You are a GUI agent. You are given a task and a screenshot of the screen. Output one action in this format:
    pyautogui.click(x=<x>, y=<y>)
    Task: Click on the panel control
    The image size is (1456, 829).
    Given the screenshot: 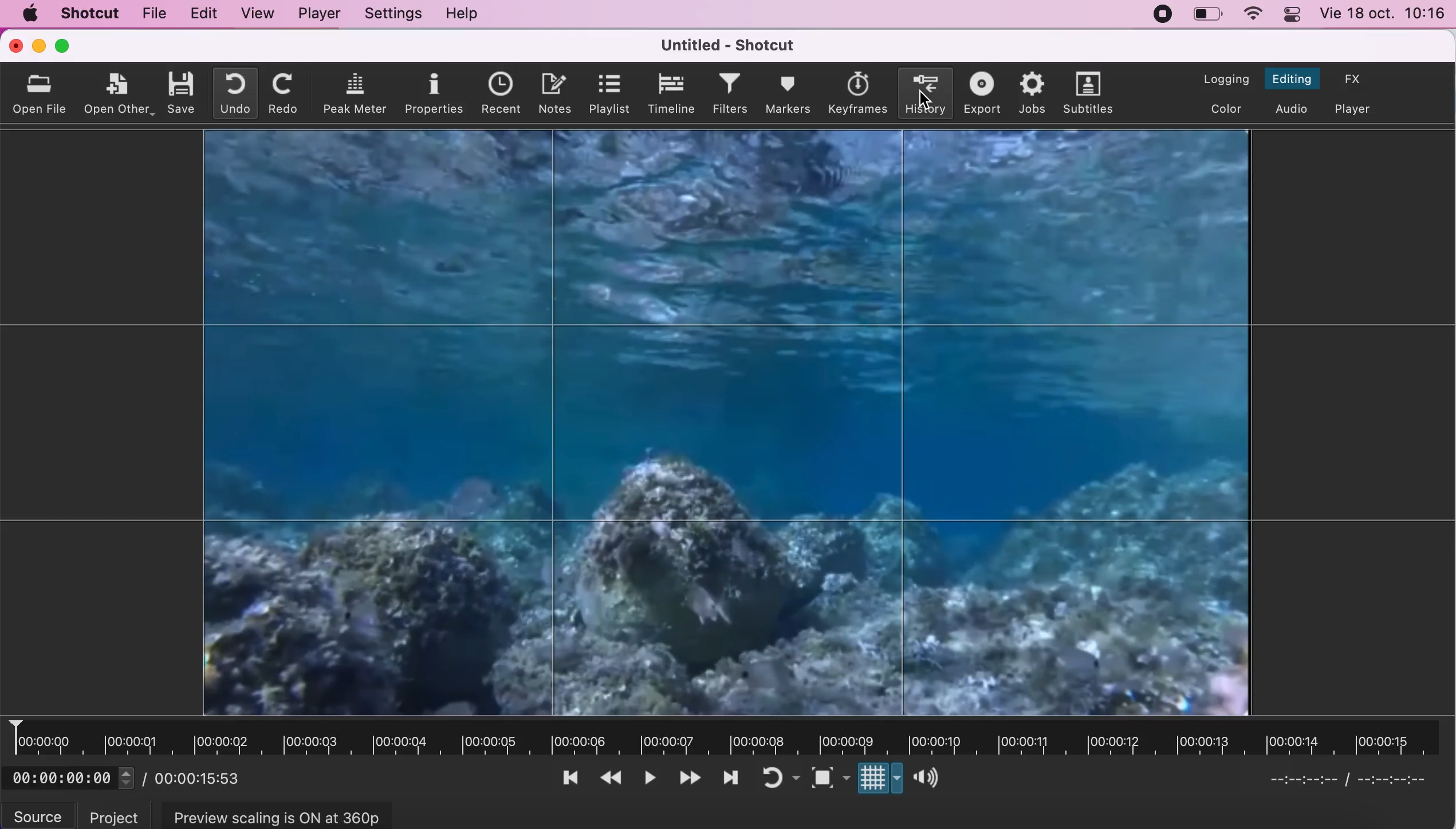 What is the action you would take?
    pyautogui.click(x=1292, y=15)
    